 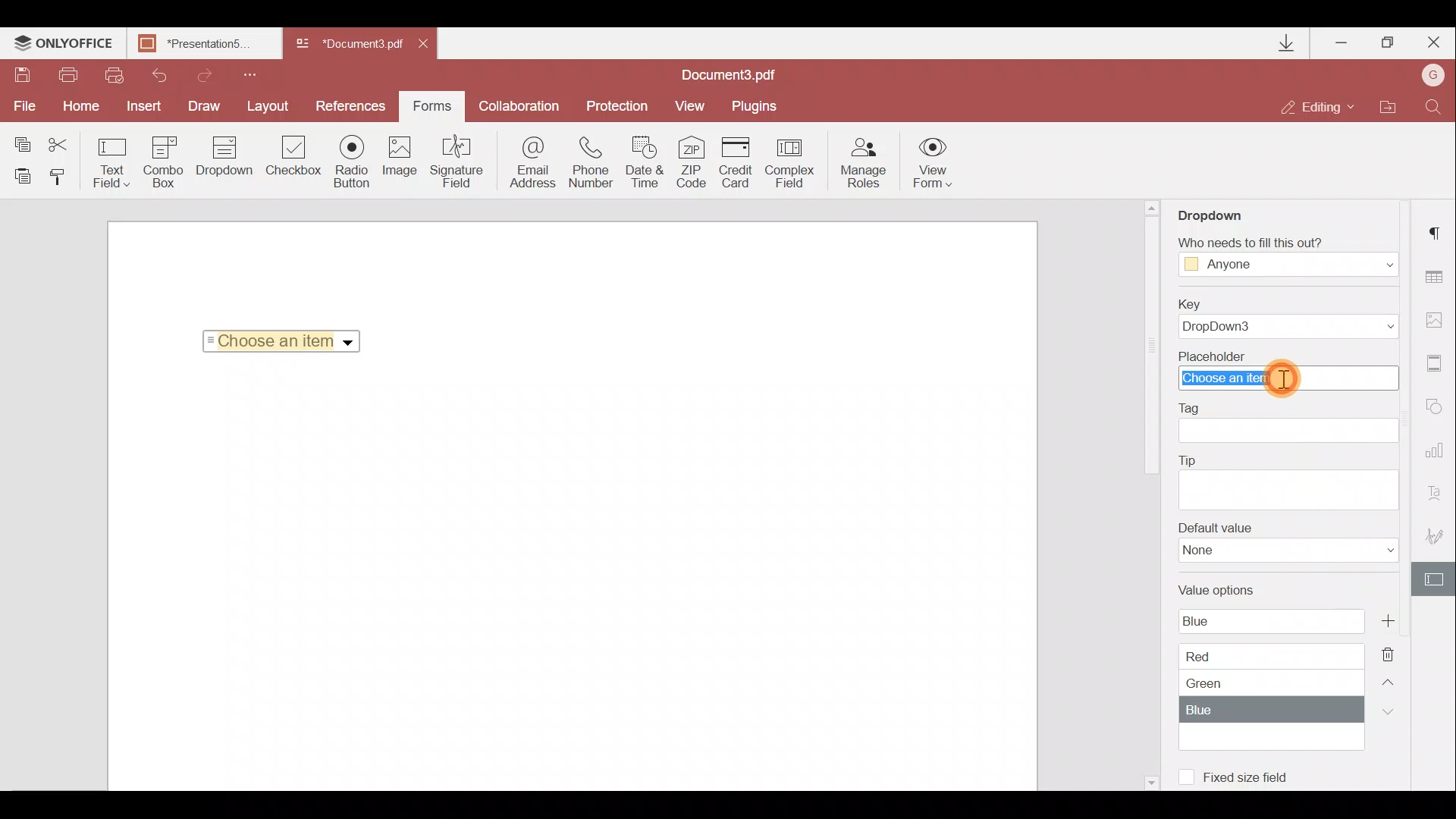 I want to click on Form settings, so click(x=1434, y=578).